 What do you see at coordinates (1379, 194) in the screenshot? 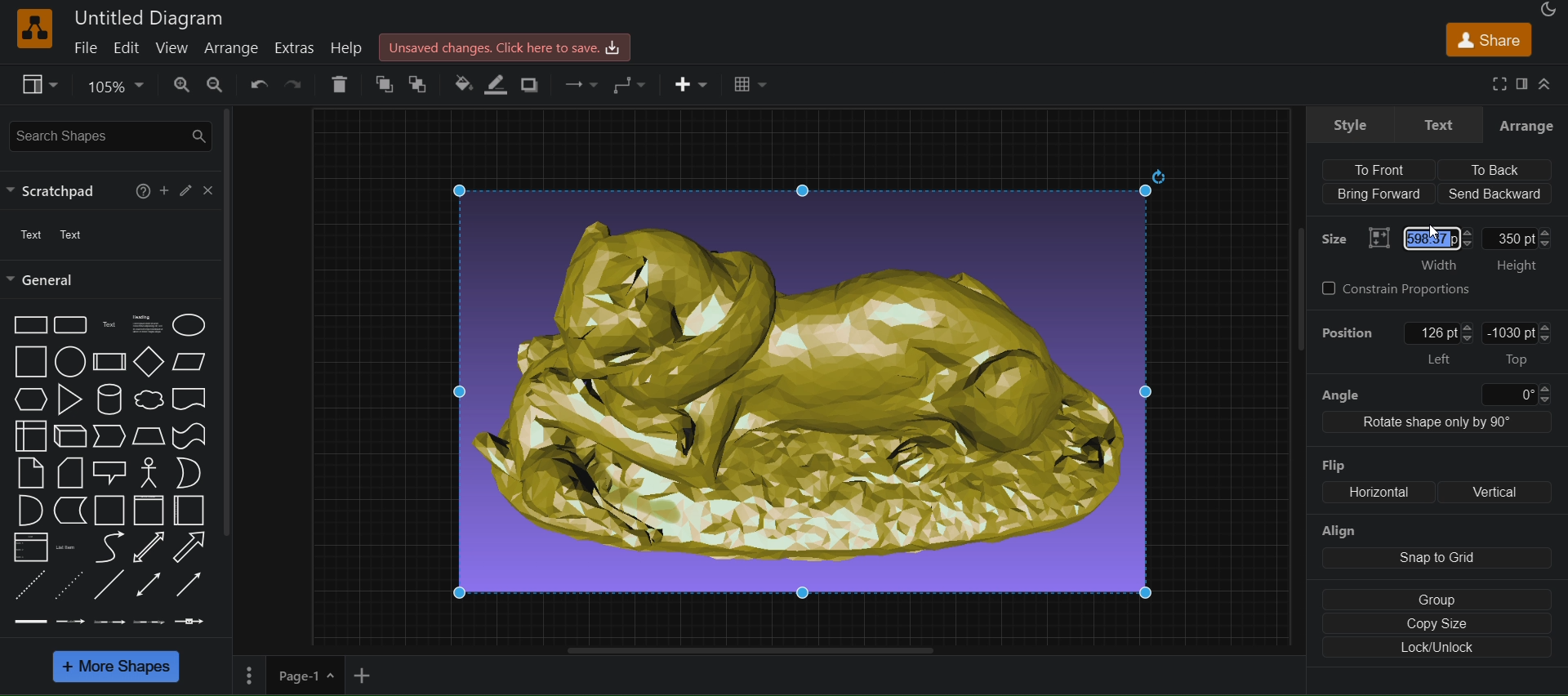
I see `Bring Forward (align)` at bounding box center [1379, 194].